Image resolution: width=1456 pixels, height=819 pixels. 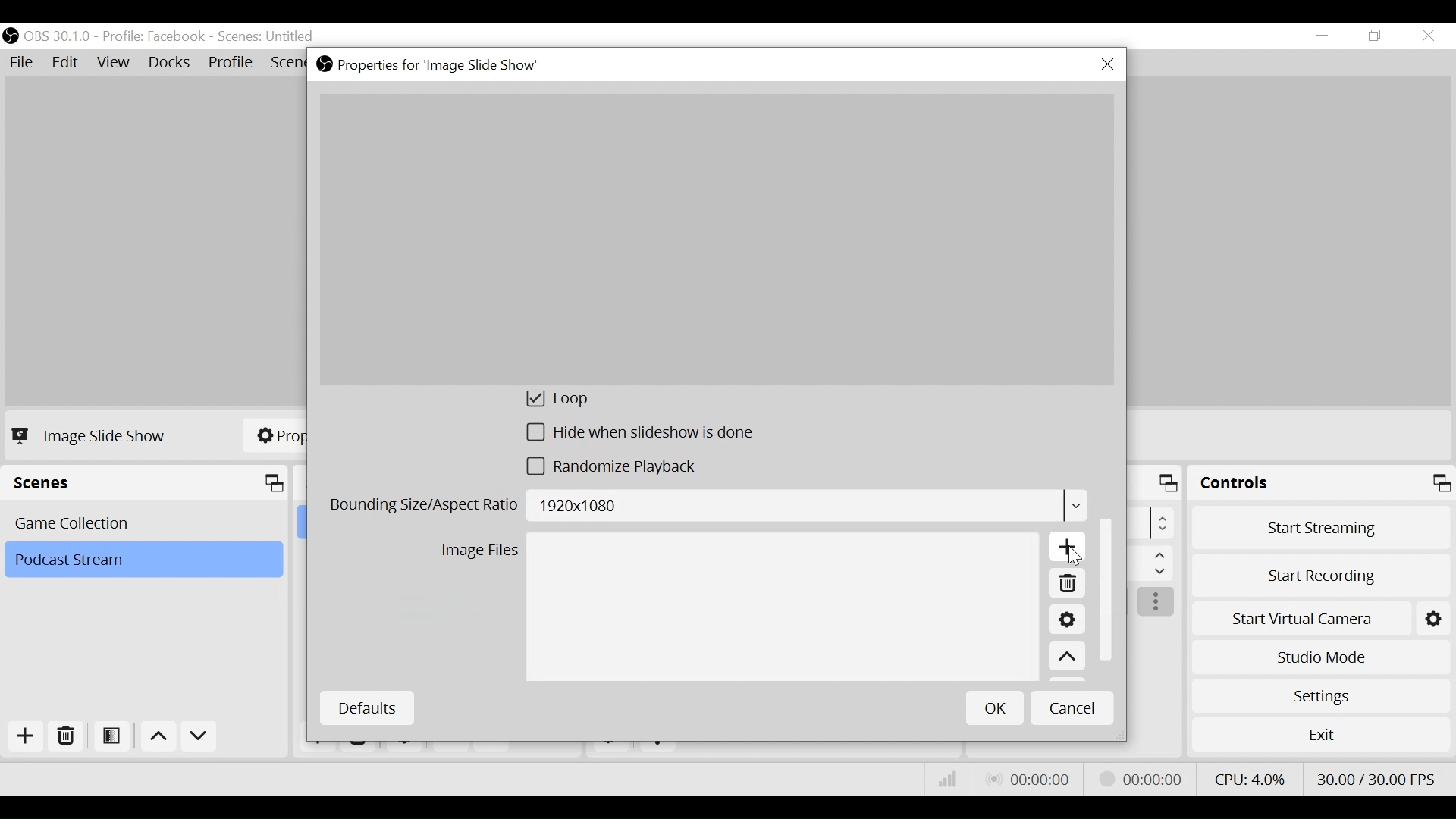 I want to click on Docks, so click(x=171, y=64).